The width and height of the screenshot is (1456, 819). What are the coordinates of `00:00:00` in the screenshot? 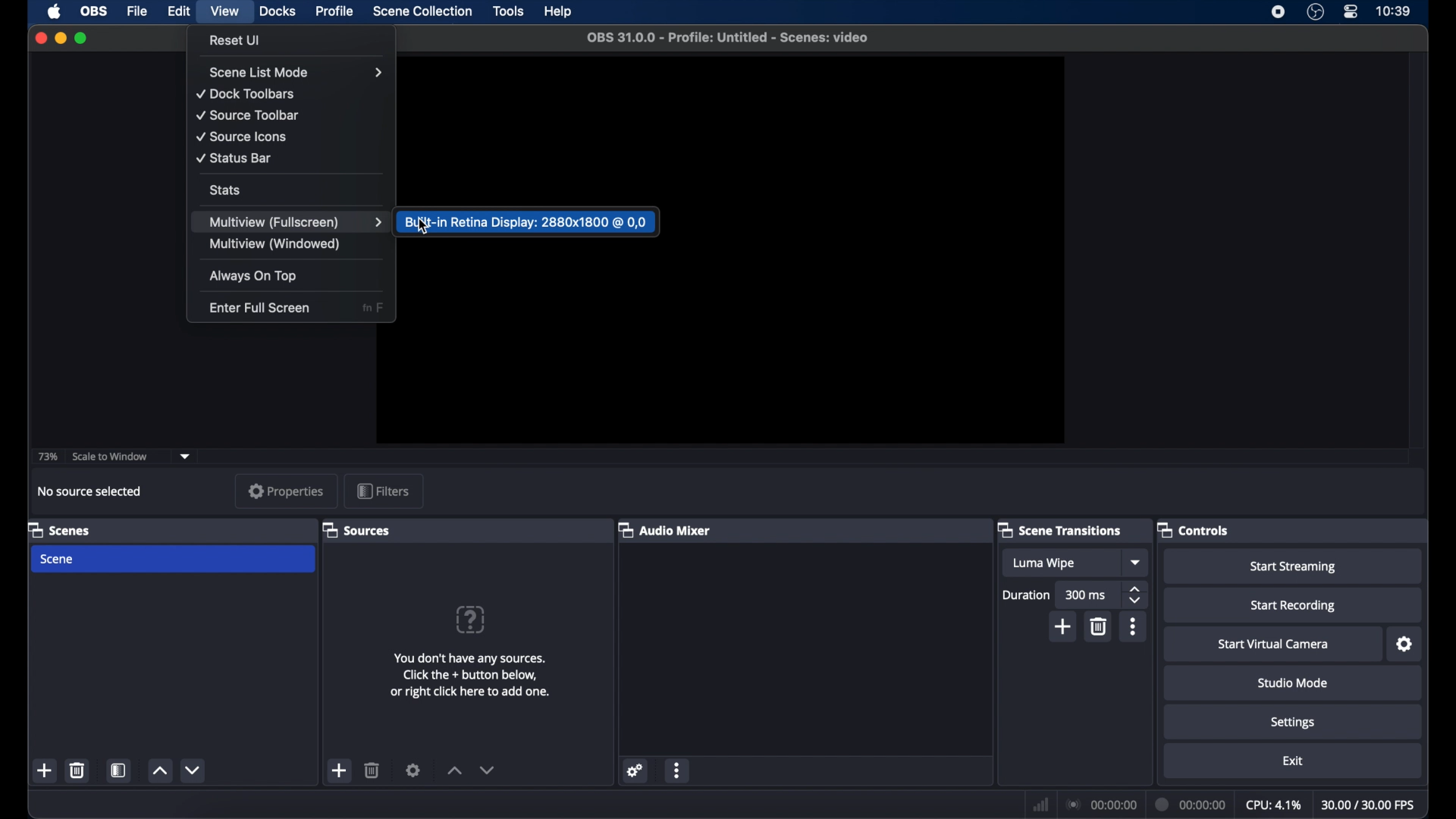 It's located at (1103, 805).